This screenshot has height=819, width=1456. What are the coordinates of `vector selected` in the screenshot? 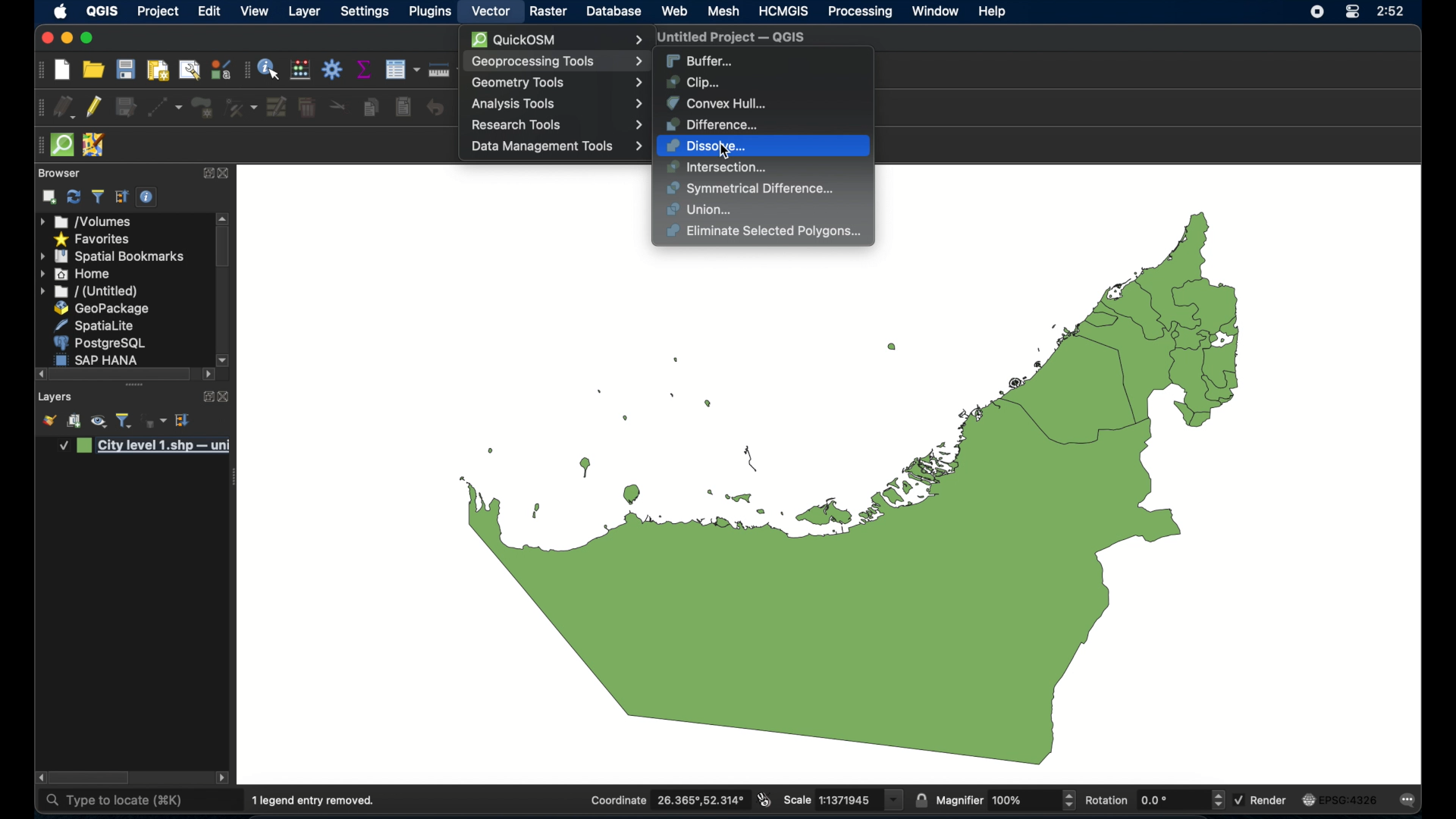 It's located at (491, 12).